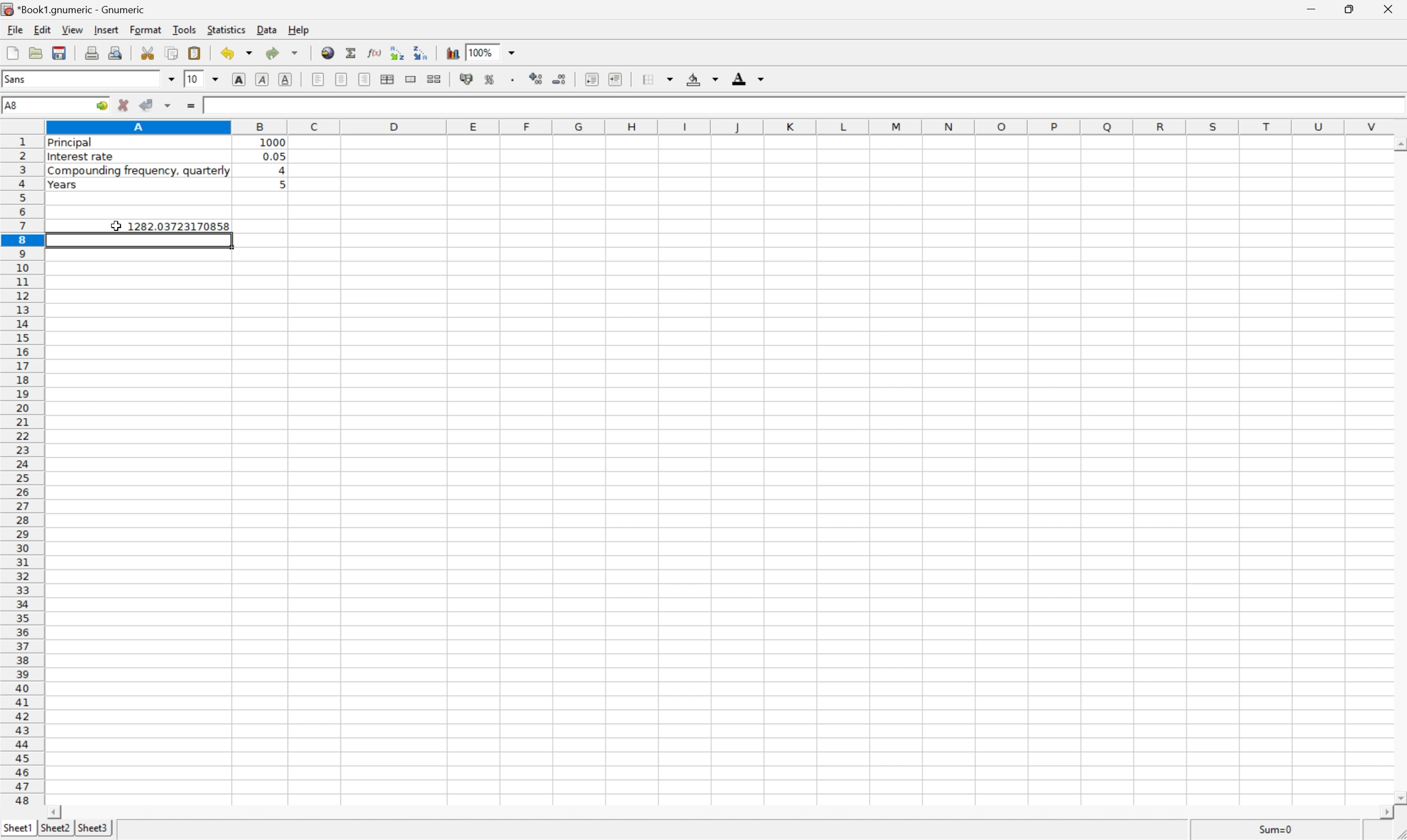 This screenshot has height=840, width=1407. I want to click on minimize, so click(1314, 9).